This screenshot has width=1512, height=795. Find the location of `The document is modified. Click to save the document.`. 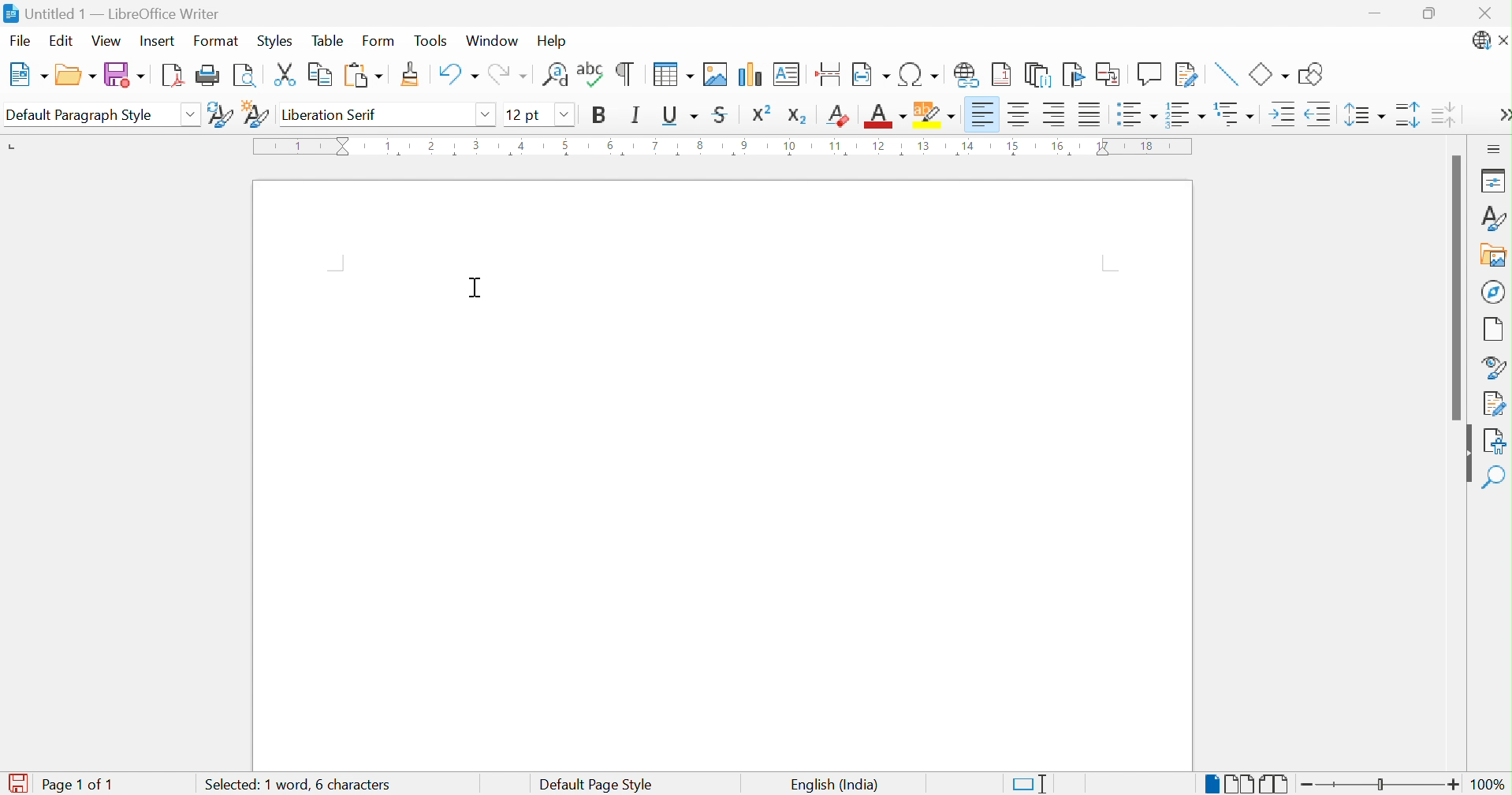

The document is modified. Click to save the document. is located at coordinates (15, 784).